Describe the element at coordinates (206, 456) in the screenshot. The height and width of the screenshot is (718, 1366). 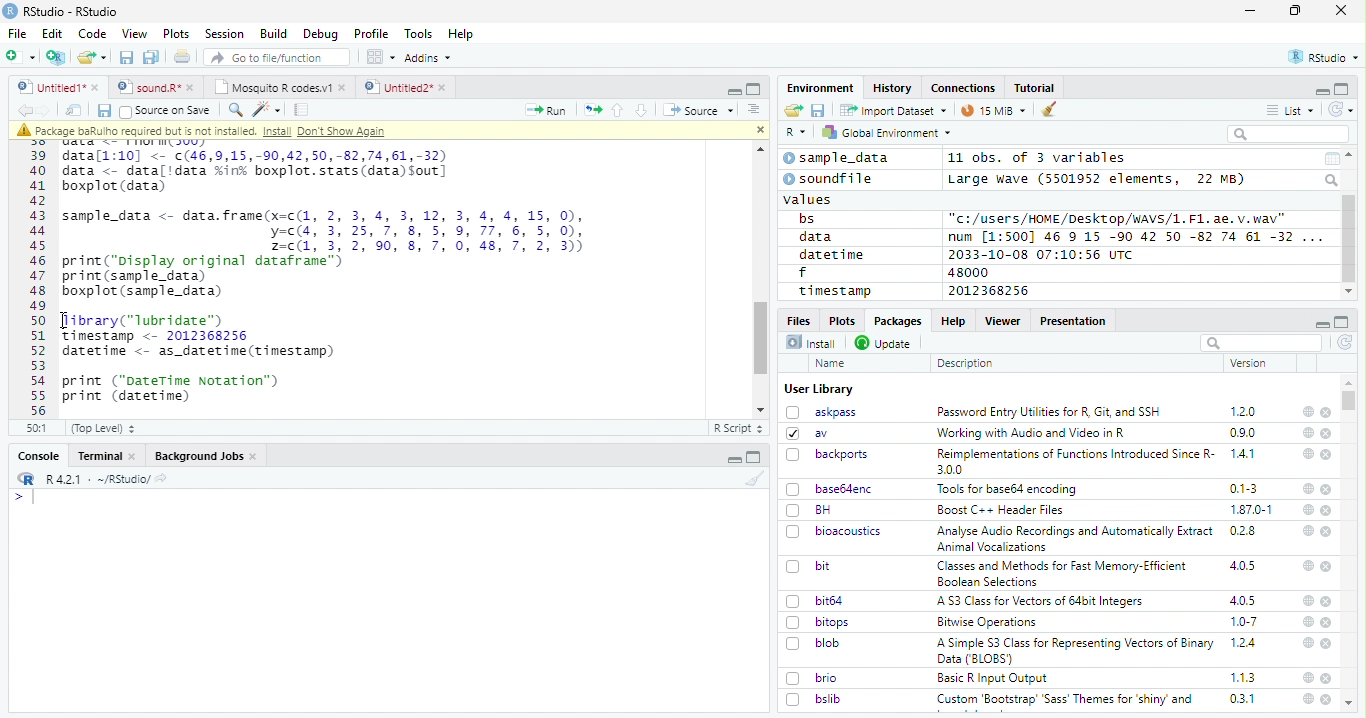
I see `Background Jobs` at that location.